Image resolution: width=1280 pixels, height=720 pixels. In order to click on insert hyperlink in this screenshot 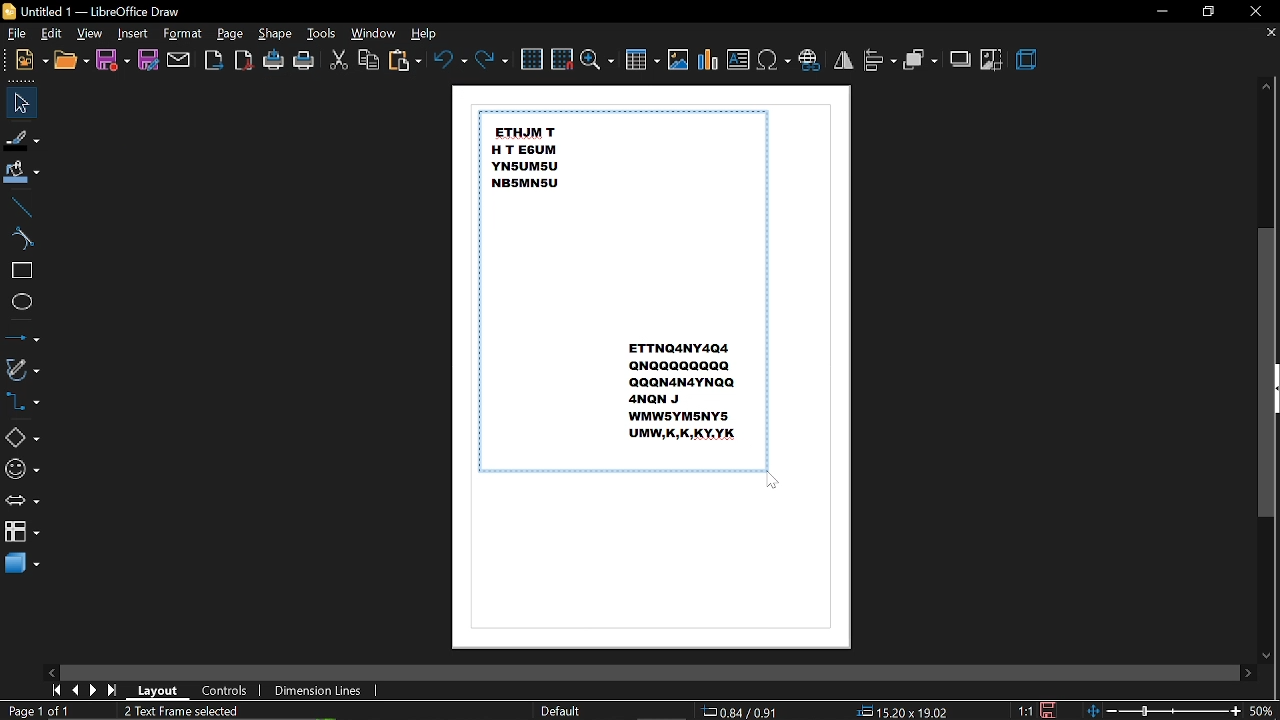, I will do `click(810, 58)`.